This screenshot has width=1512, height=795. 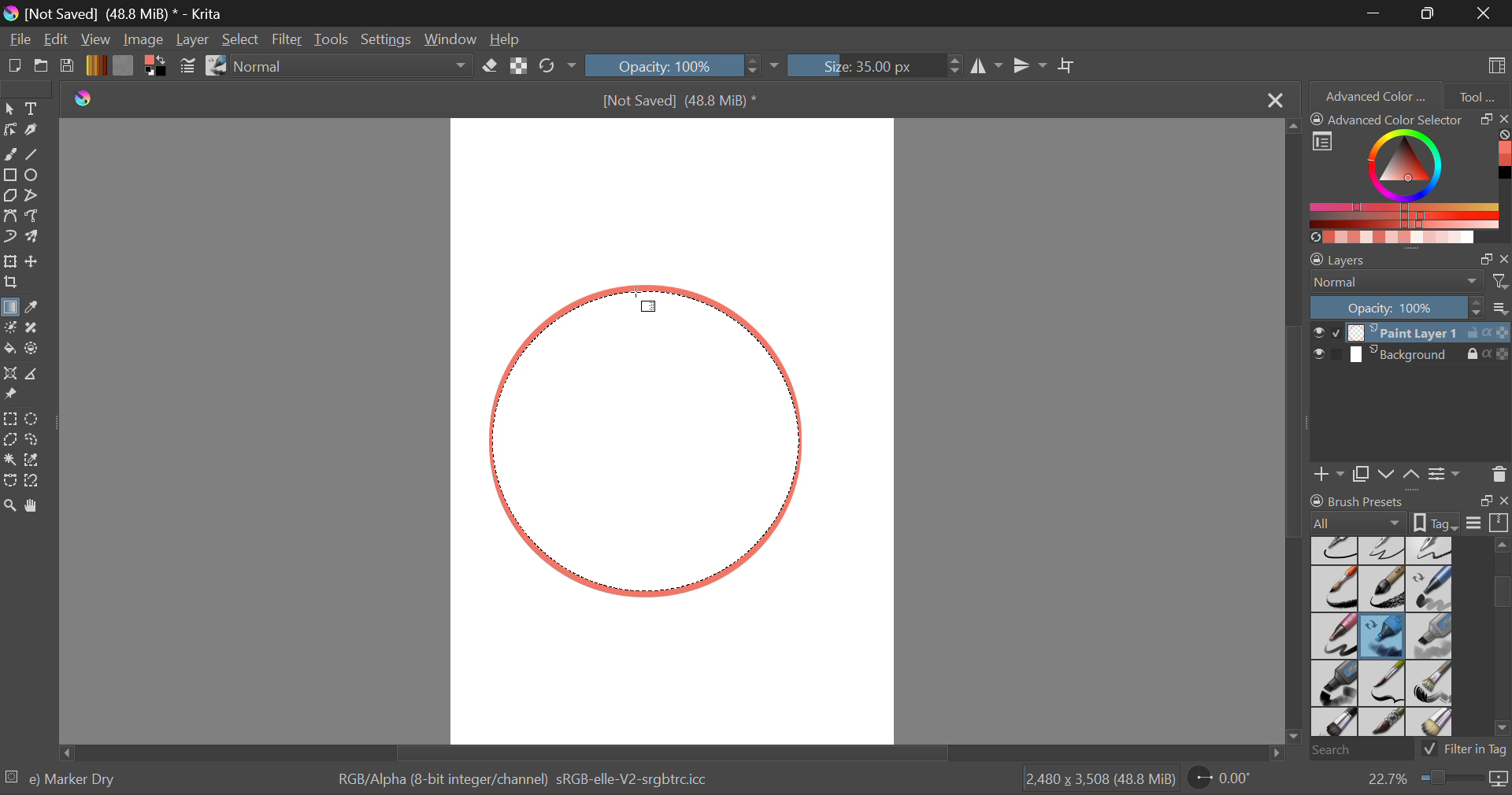 What do you see at coordinates (11, 284) in the screenshot?
I see `Crop a layer` at bounding box center [11, 284].